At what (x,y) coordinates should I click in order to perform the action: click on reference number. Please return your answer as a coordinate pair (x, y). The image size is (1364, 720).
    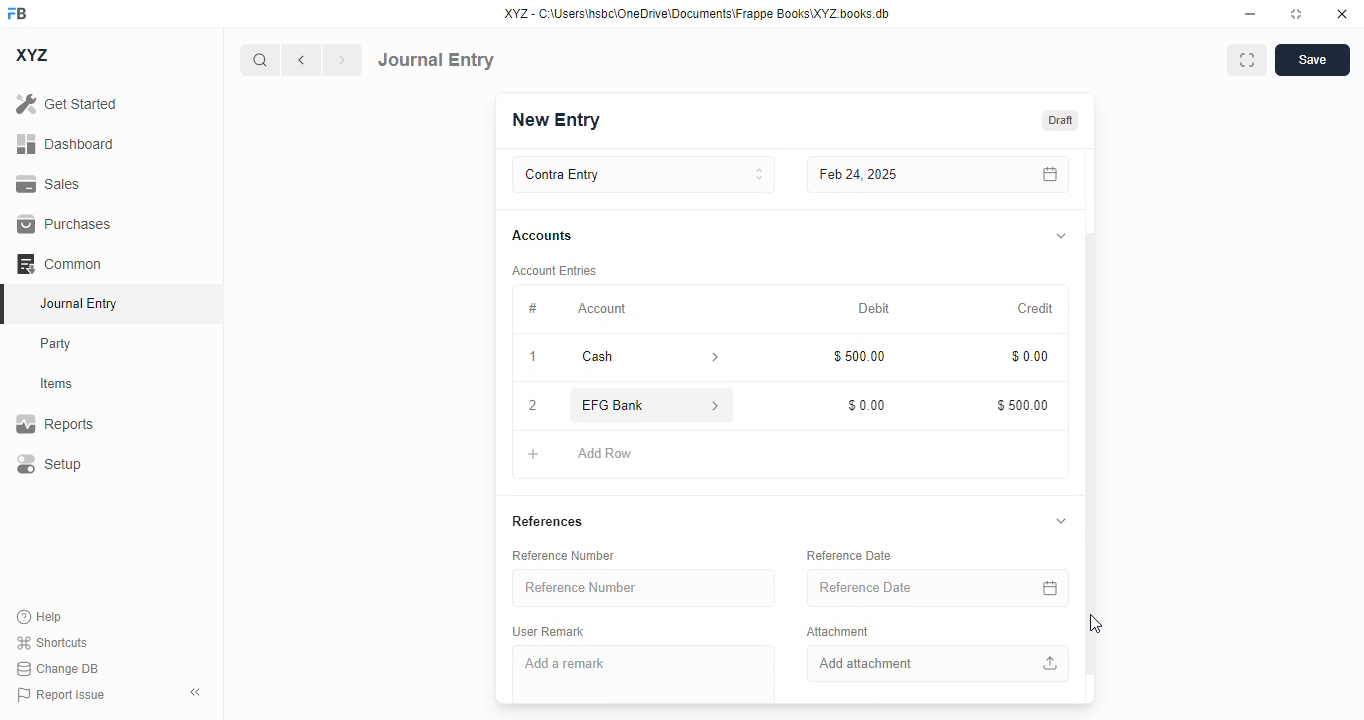
    Looking at the image, I should click on (564, 556).